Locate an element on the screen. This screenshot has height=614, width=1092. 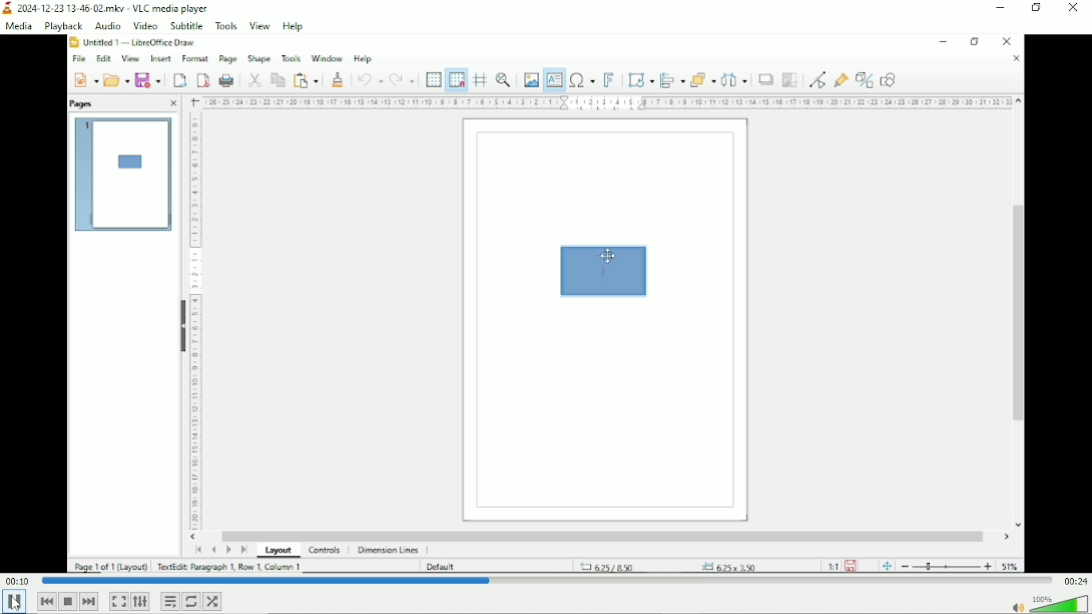
Subtitle is located at coordinates (185, 28).